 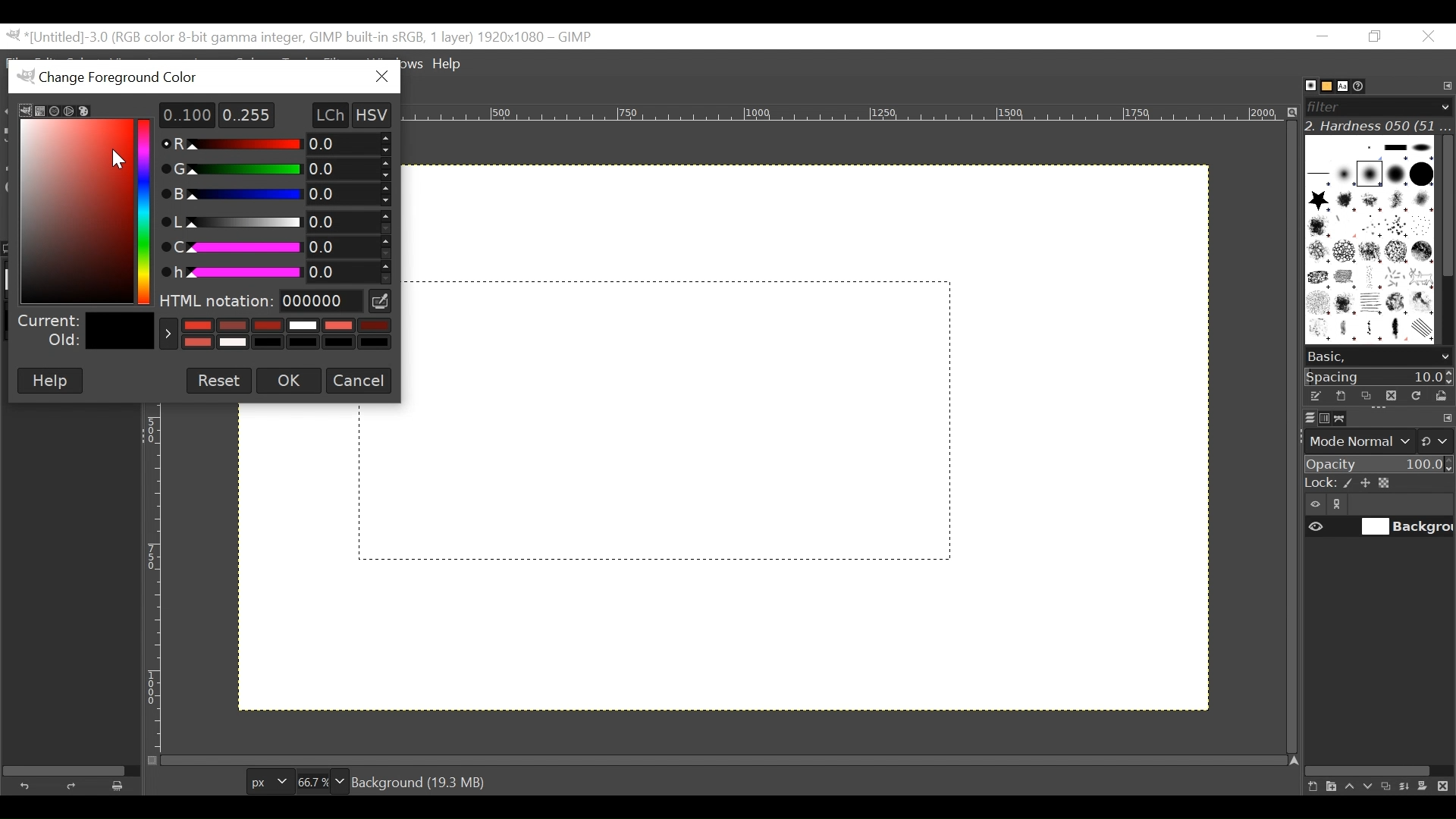 I want to click on Basic, so click(x=1323, y=86).